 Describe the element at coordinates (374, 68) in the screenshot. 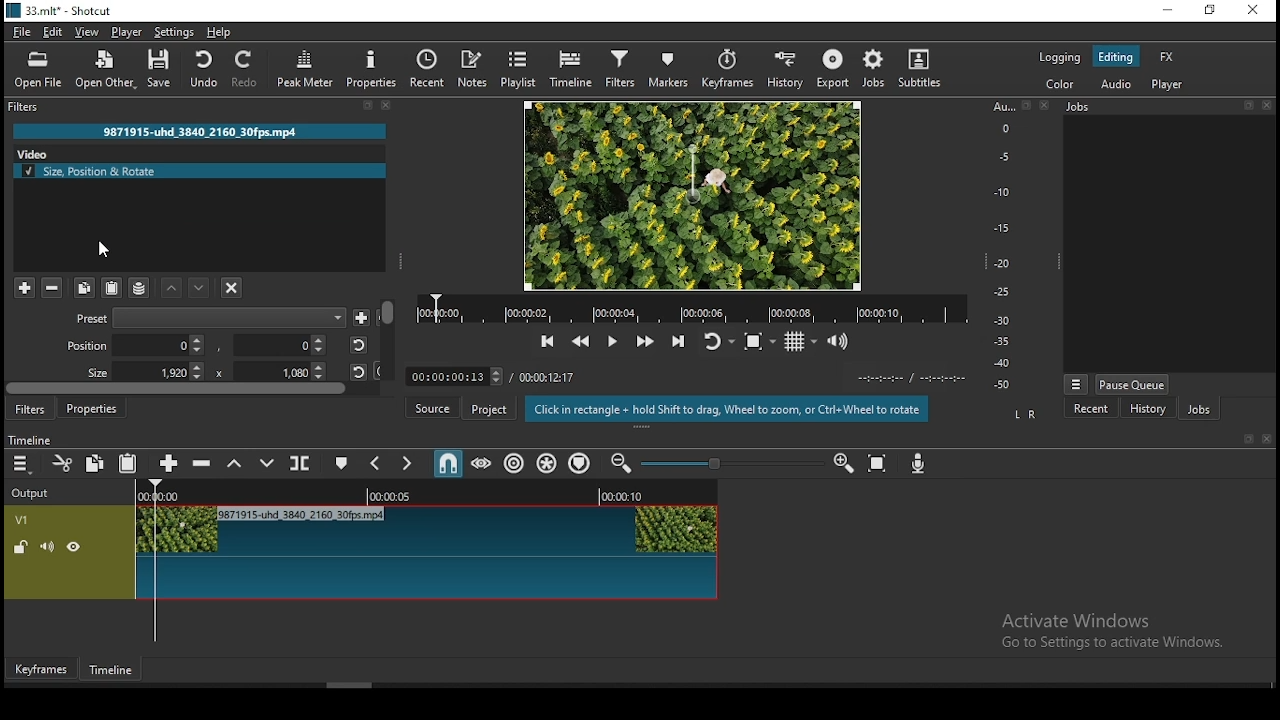

I see `properties` at that location.